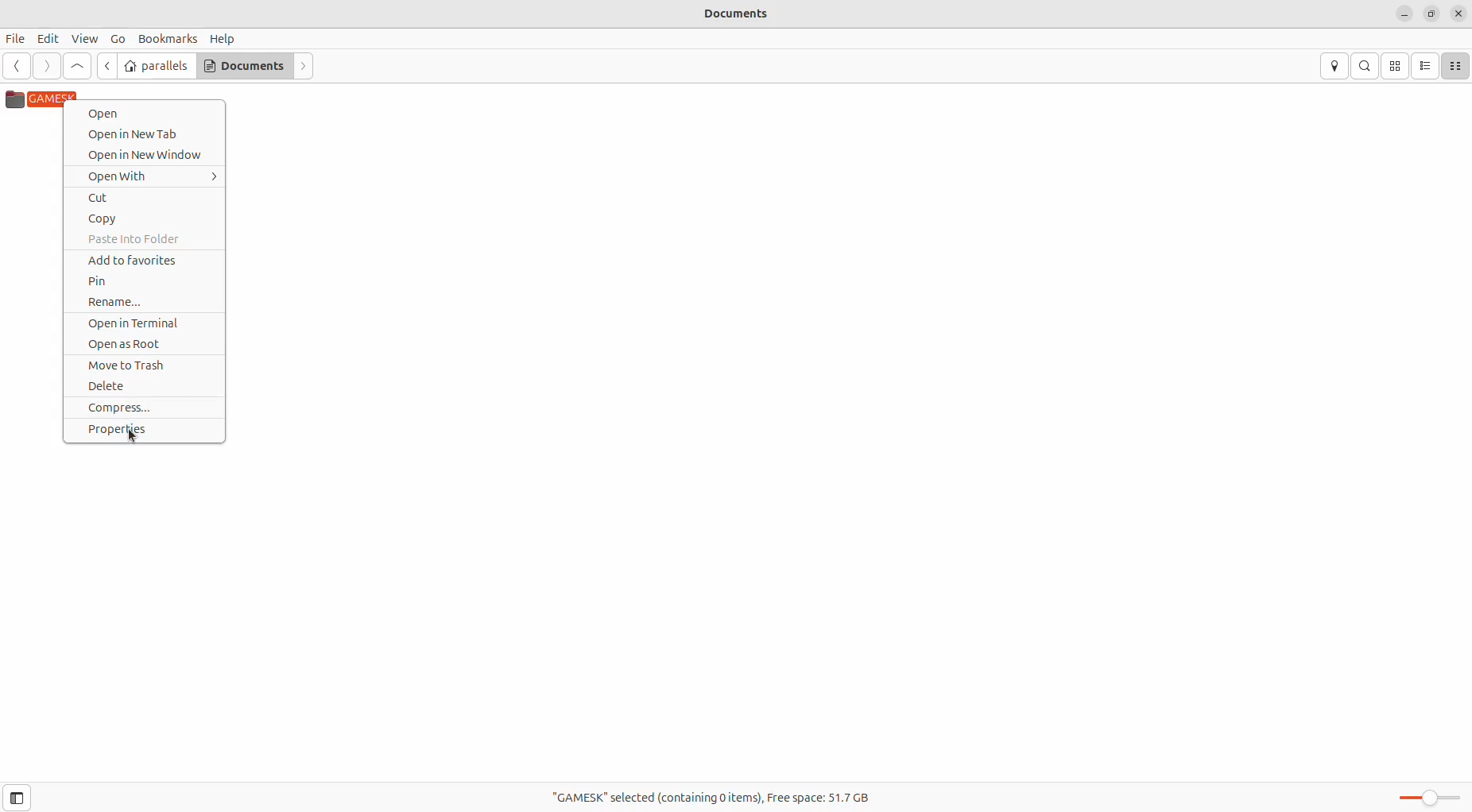 This screenshot has height=812, width=1472. What do you see at coordinates (141, 134) in the screenshot?
I see `Open in New Tab` at bounding box center [141, 134].